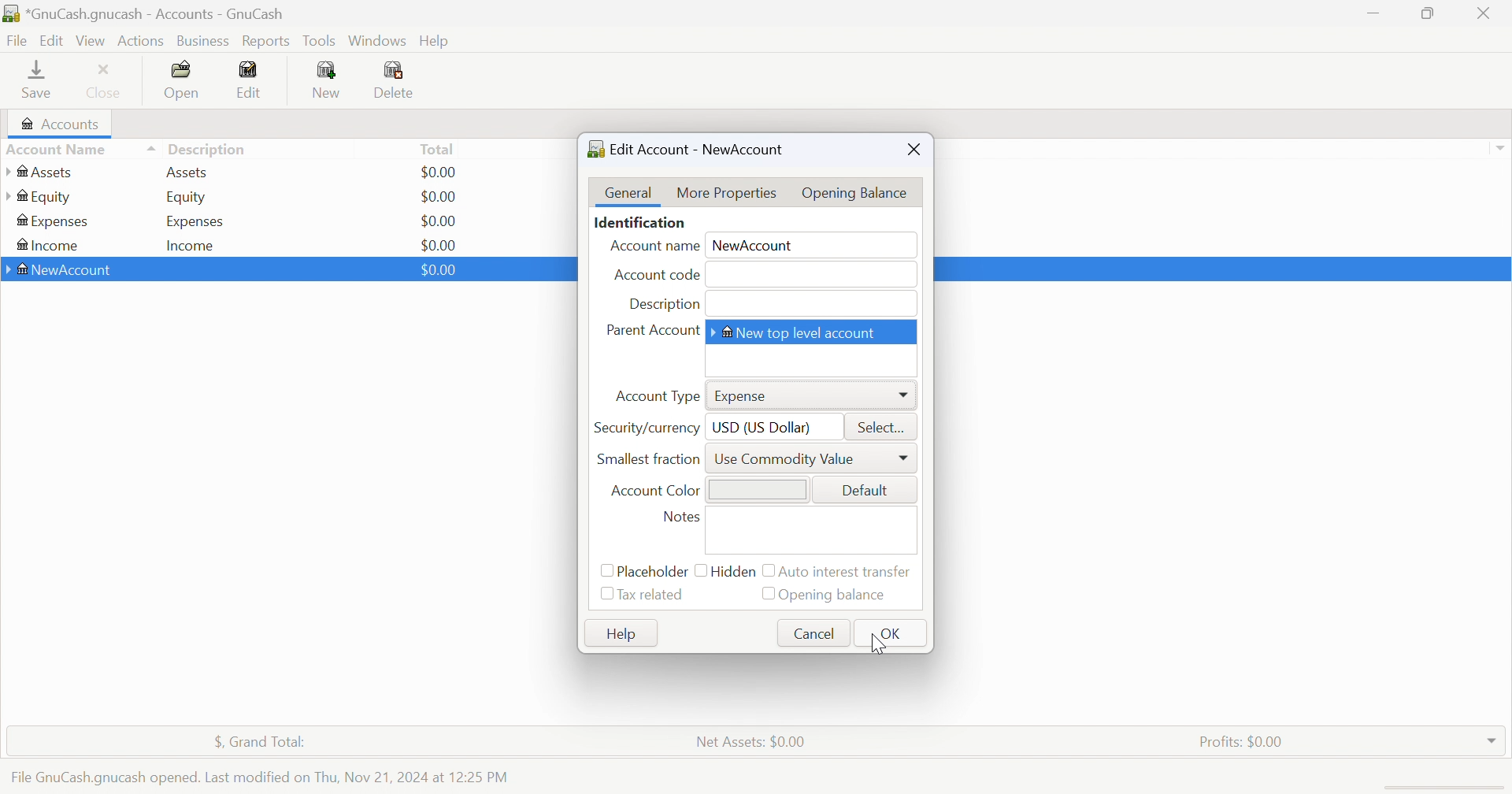 The width and height of the screenshot is (1512, 794). What do you see at coordinates (768, 429) in the screenshot?
I see `USD (US Dollar)` at bounding box center [768, 429].